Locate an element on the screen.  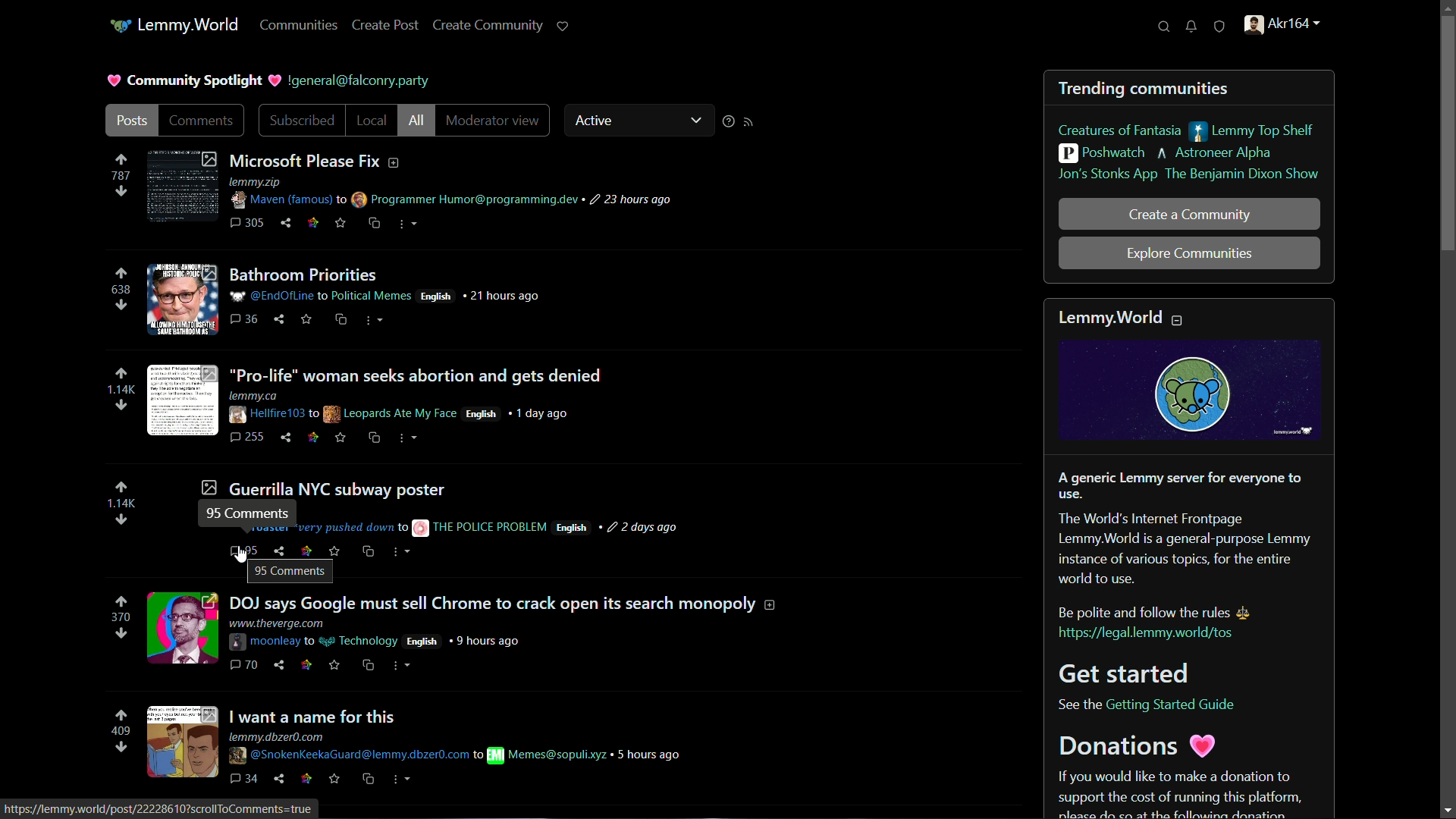
subscribed is located at coordinates (298, 121).